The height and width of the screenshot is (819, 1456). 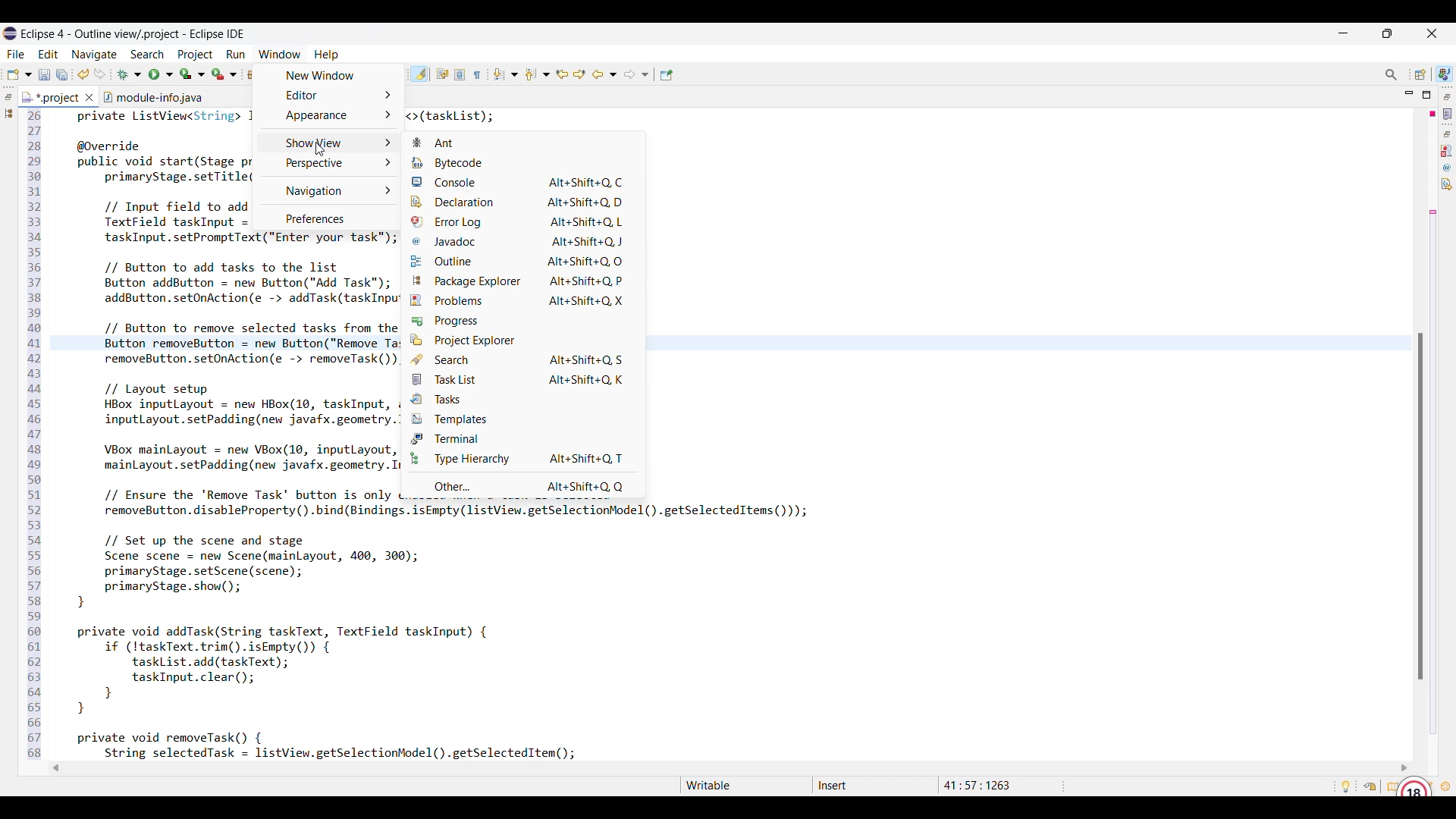 I want to click on Navigation options, so click(x=327, y=190).